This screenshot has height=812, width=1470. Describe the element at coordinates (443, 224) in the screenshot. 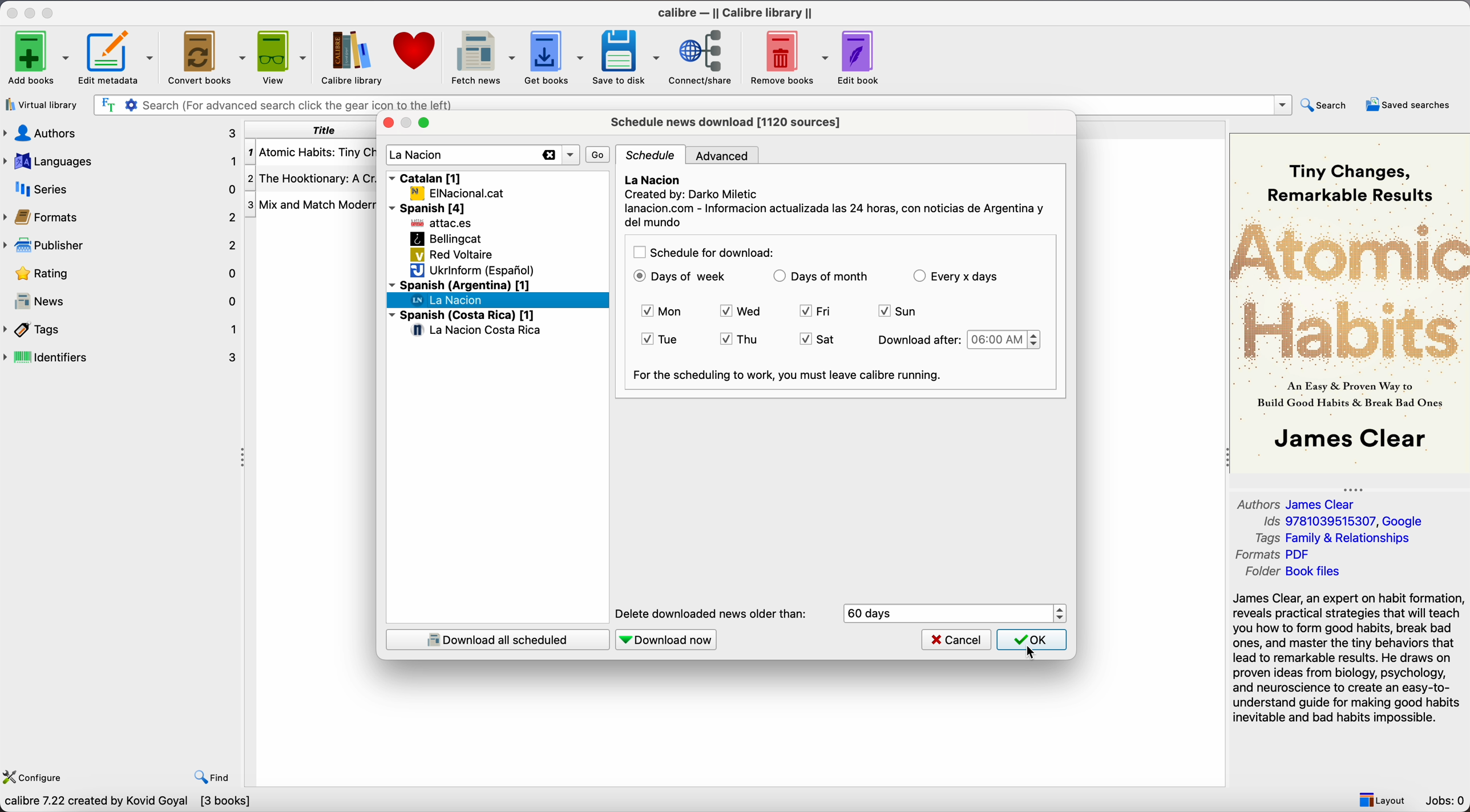

I see `attac.es` at that location.